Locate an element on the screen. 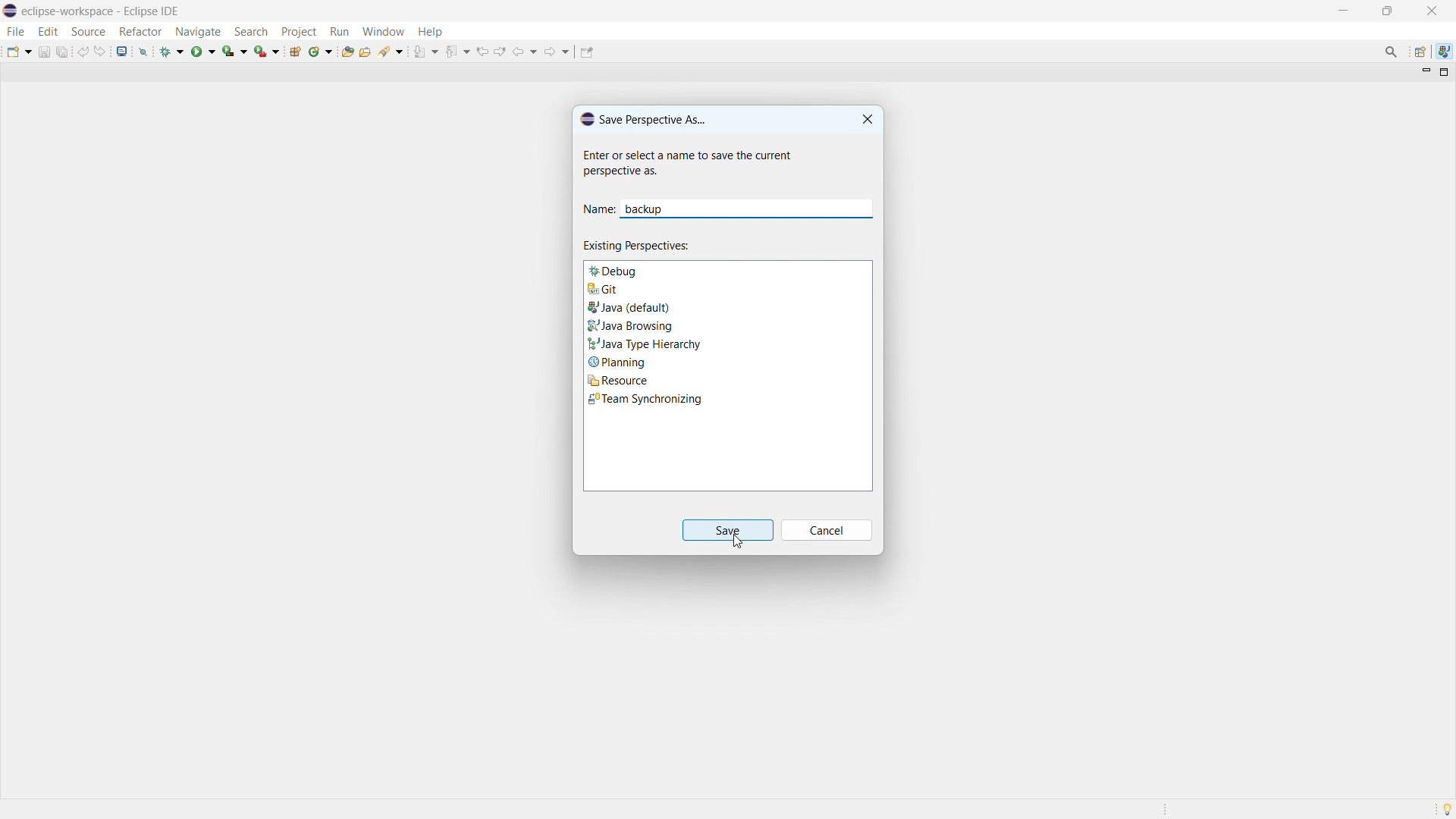 This screenshot has height=819, width=1456. close dialogbox is located at coordinates (868, 119).